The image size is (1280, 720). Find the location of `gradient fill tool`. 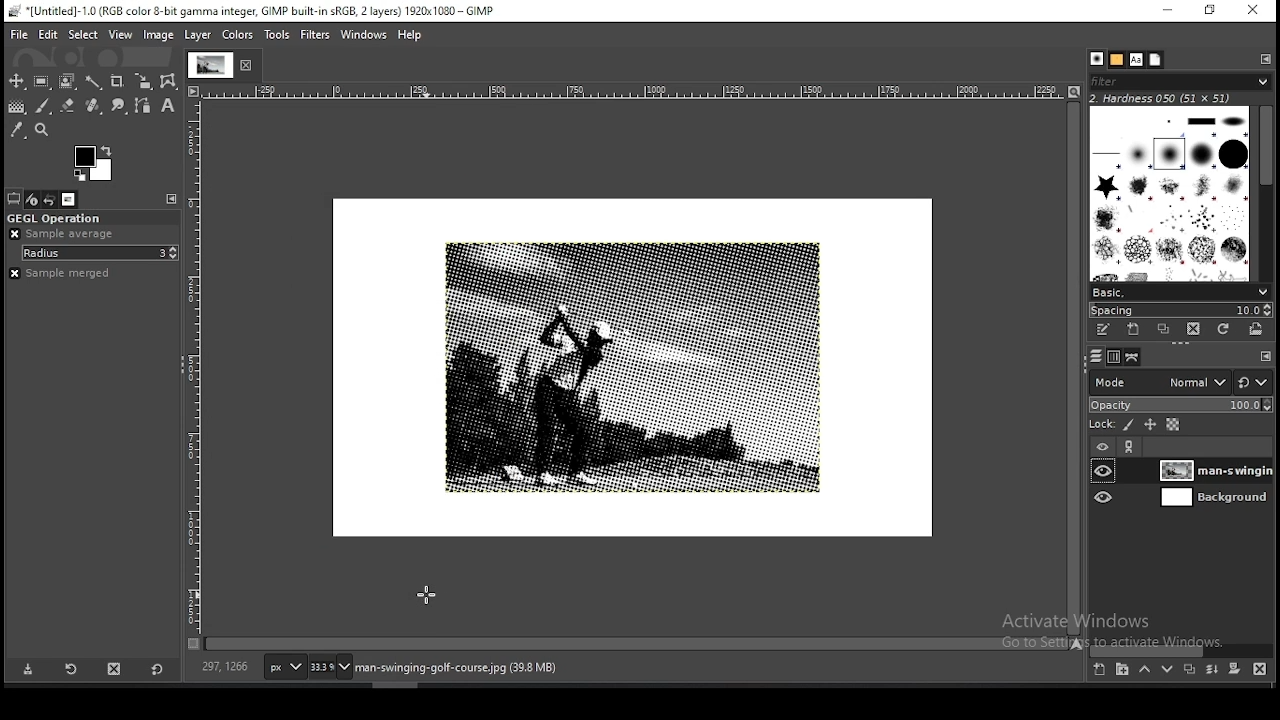

gradient fill tool is located at coordinates (18, 107).